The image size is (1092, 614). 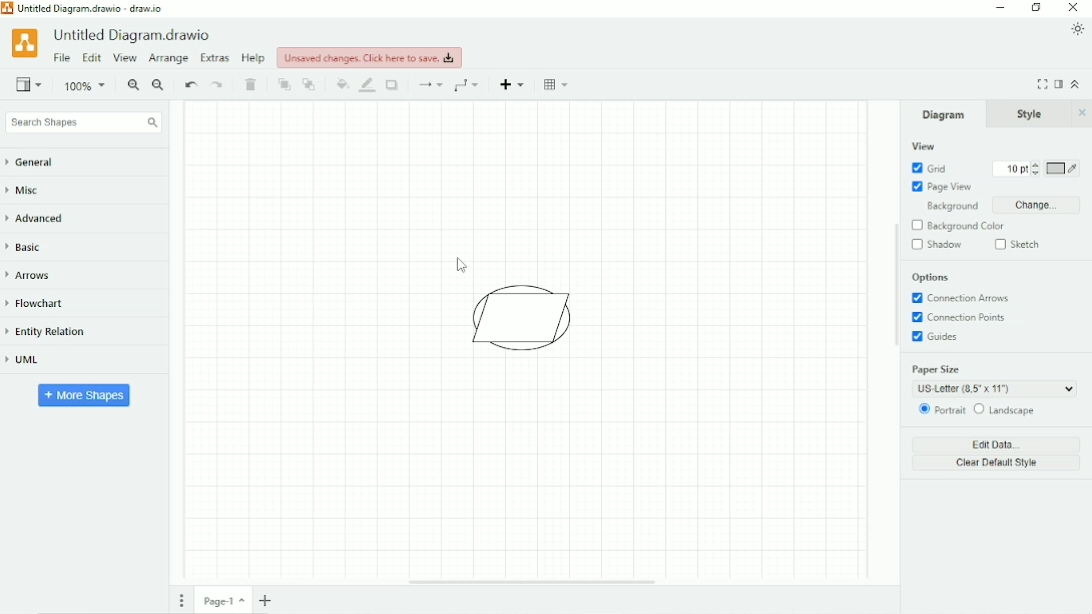 What do you see at coordinates (929, 168) in the screenshot?
I see `Grid` at bounding box center [929, 168].